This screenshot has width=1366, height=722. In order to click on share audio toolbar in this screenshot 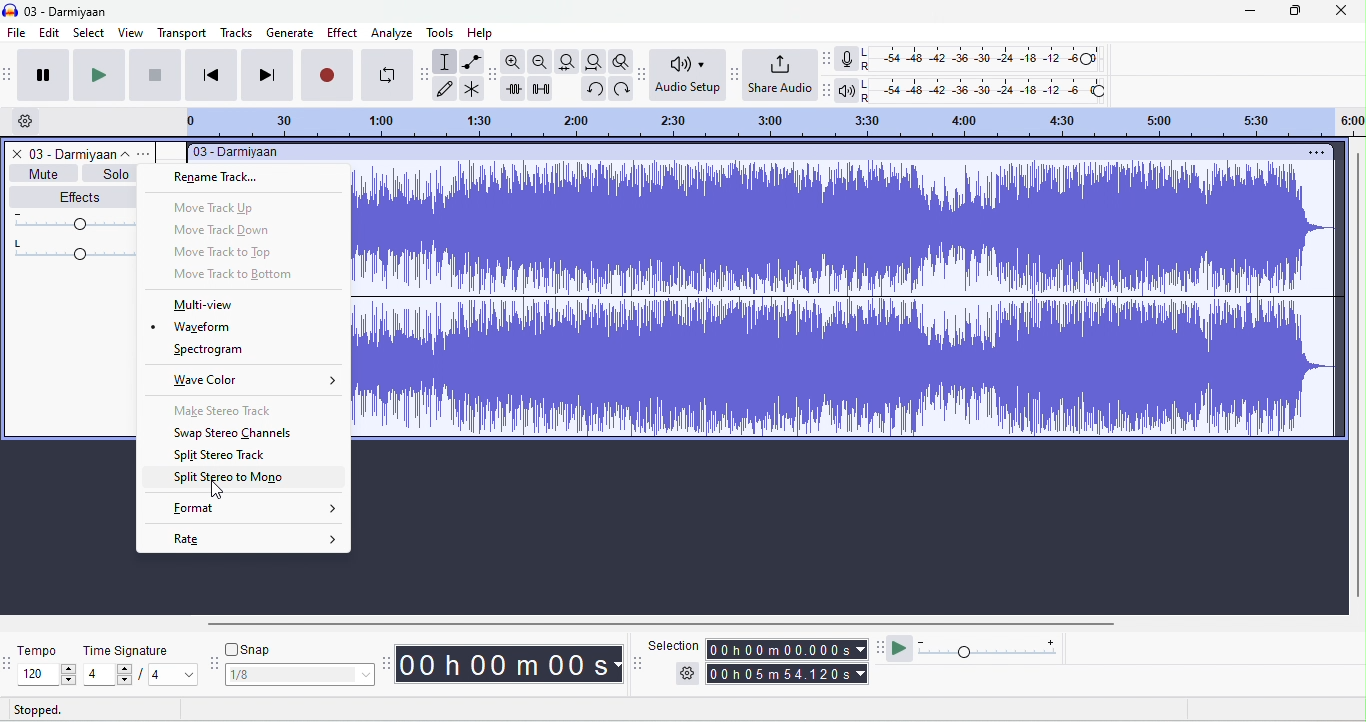, I will do `click(734, 73)`.